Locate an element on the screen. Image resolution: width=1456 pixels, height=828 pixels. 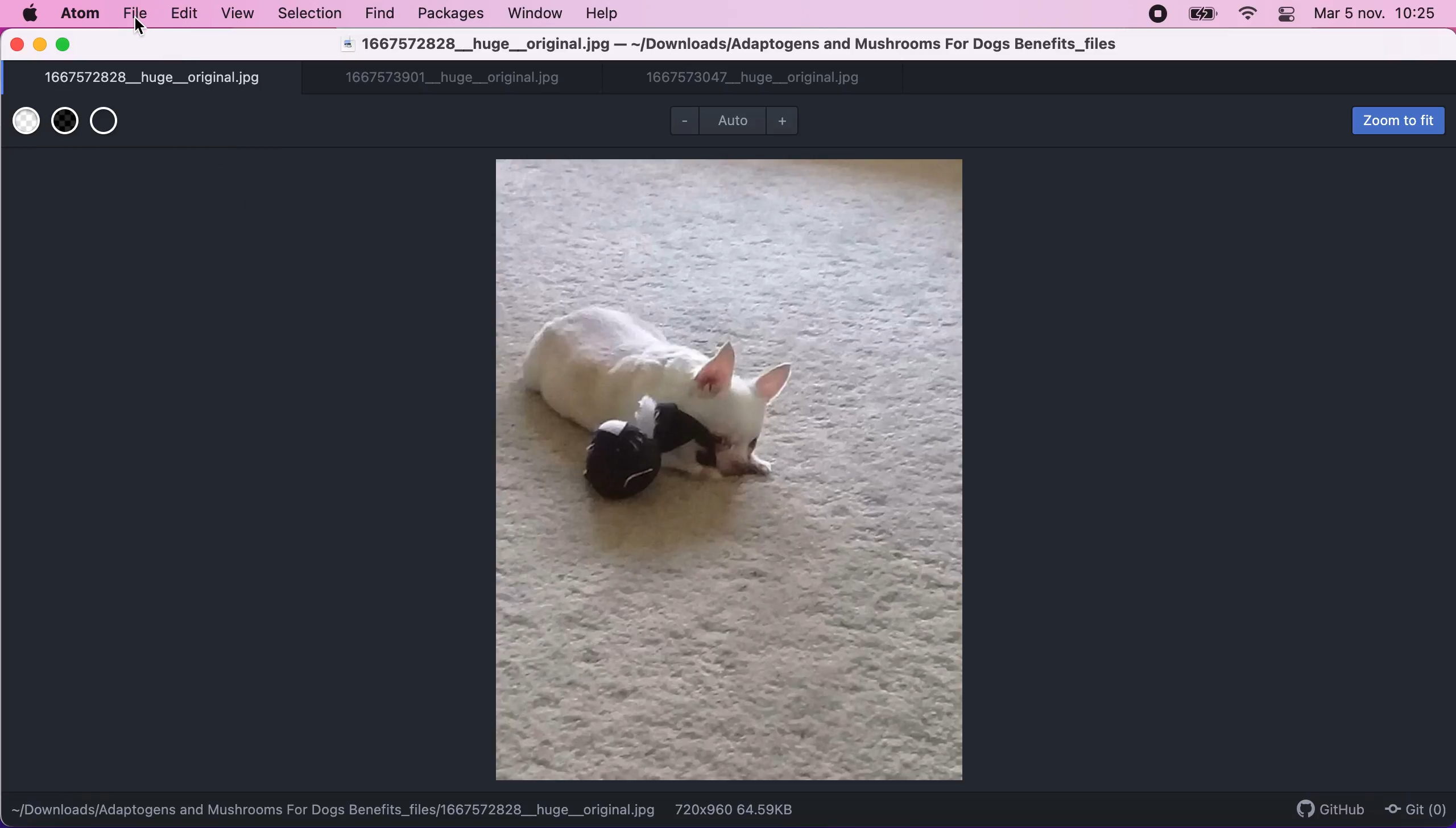
1667572828__huge__original.jpg is located at coordinates (154, 79).